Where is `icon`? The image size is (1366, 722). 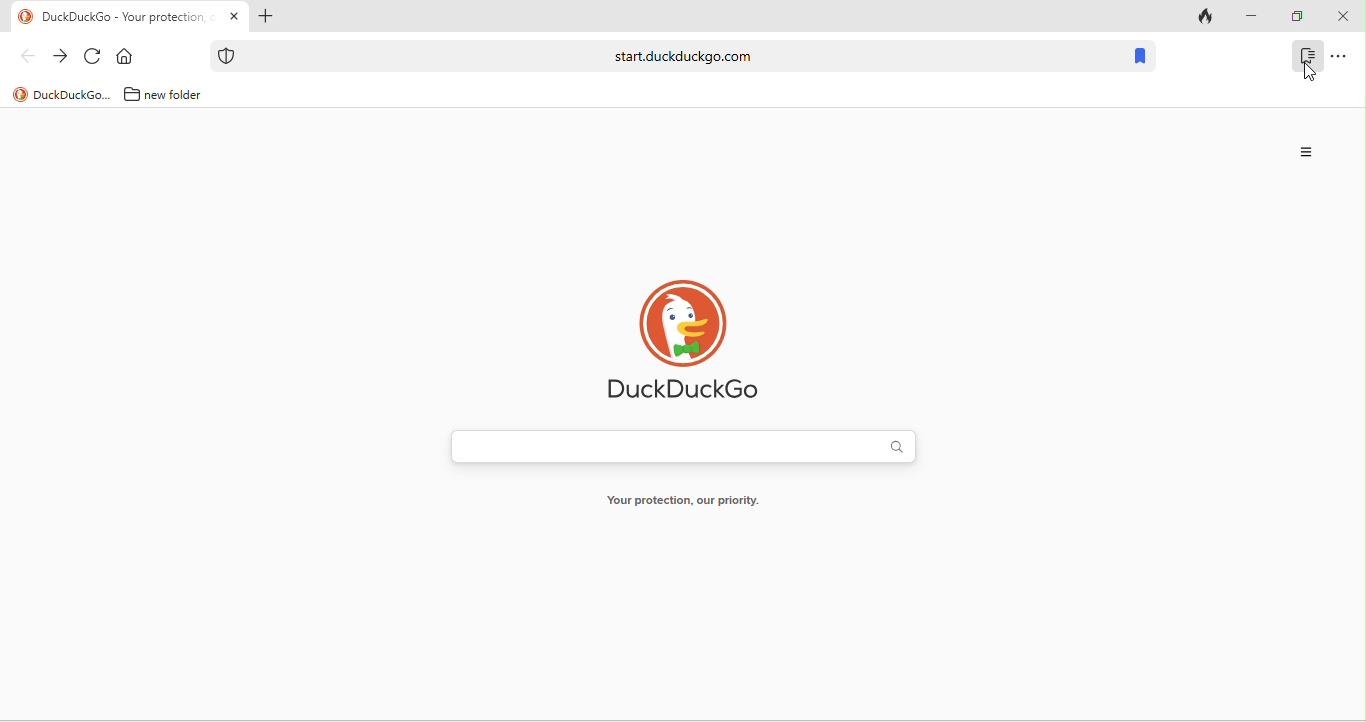 icon is located at coordinates (227, 56).